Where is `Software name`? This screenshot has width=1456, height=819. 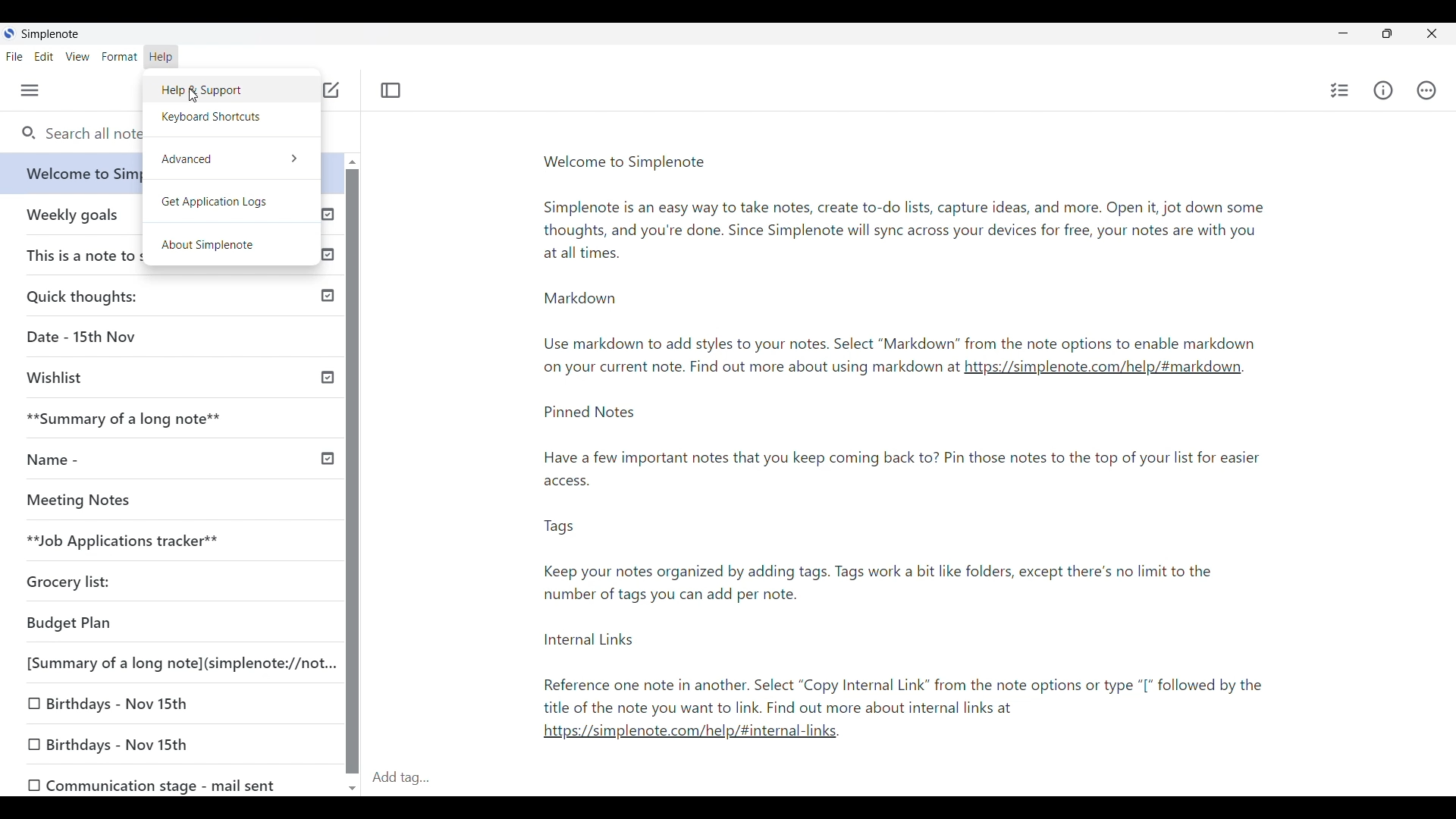 Software name is located at coordinates (51, 35).